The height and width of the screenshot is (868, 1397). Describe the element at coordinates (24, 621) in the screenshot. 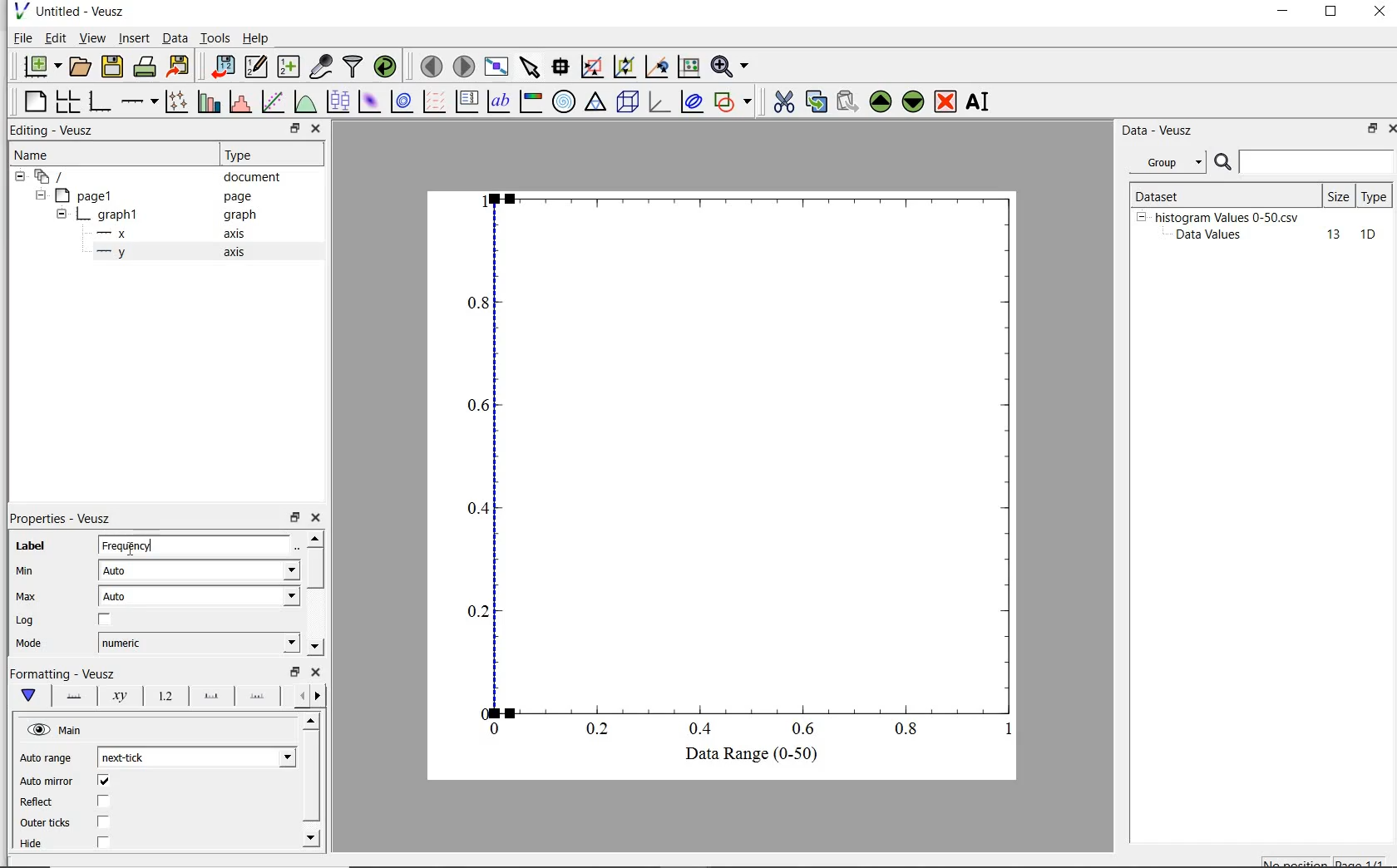

I see `Log` at that location.